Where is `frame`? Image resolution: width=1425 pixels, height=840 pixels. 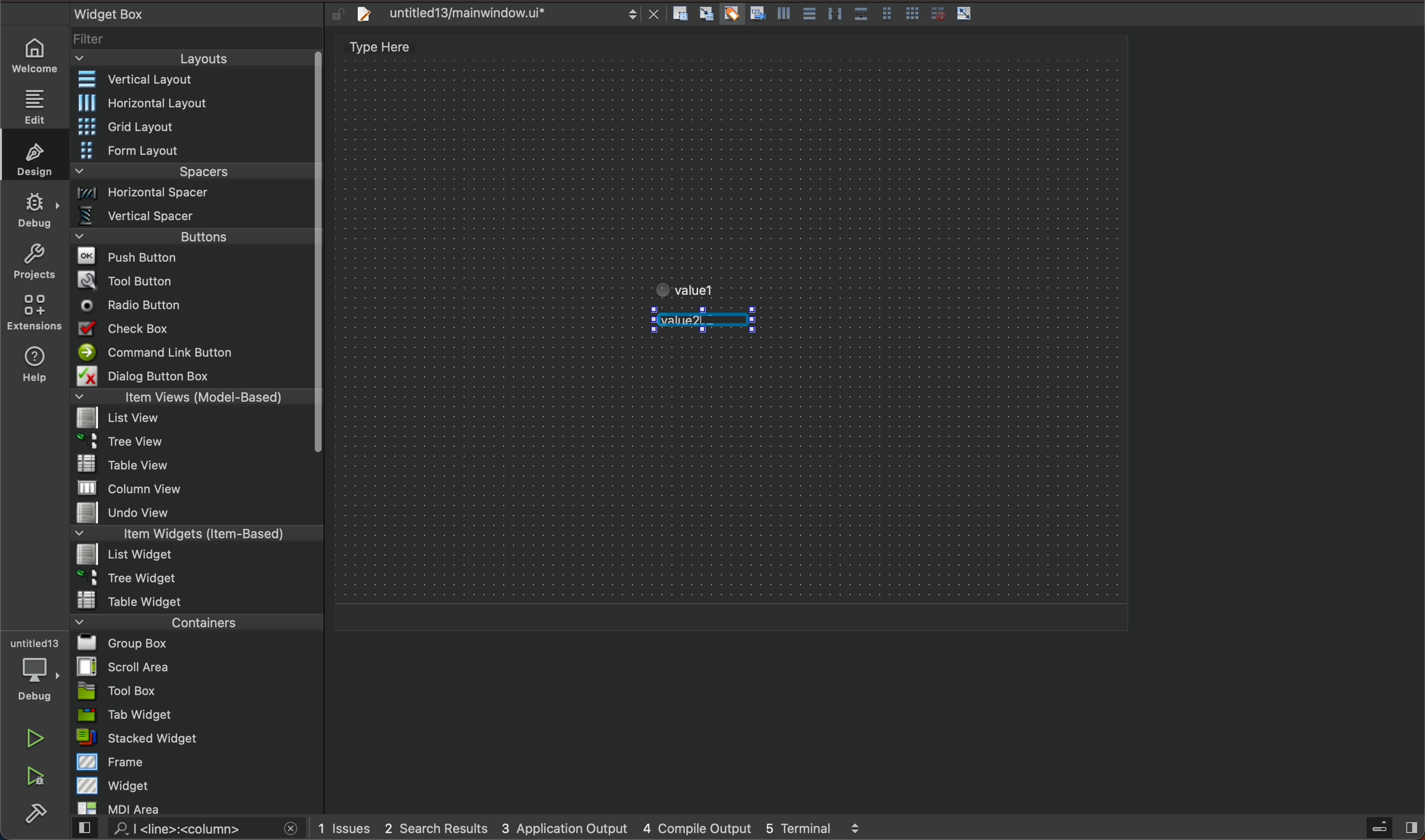
frame is located at coordinates (199, 761).